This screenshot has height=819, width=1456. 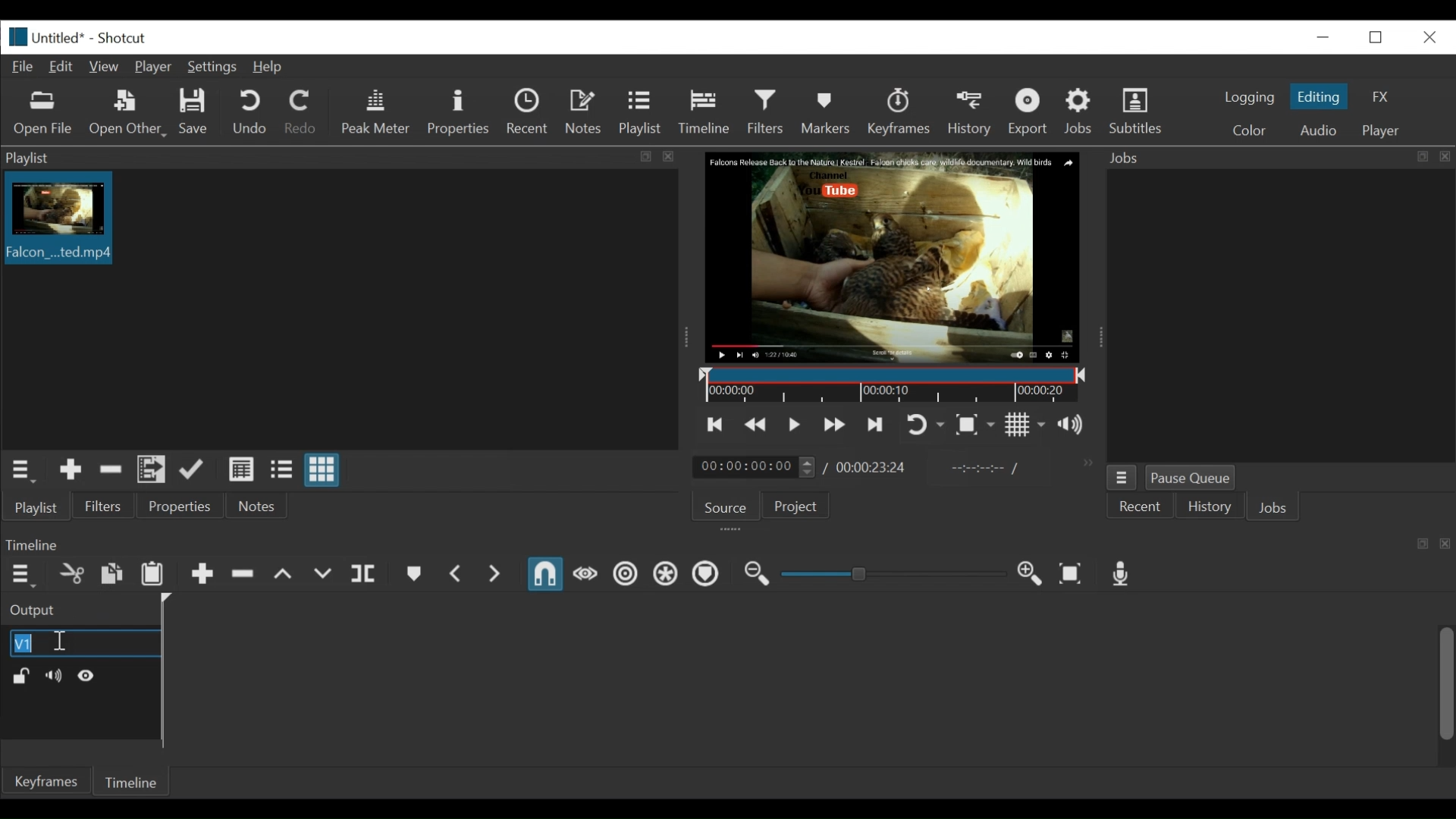 I want to click on minimize, so click(x=1323, y=37).